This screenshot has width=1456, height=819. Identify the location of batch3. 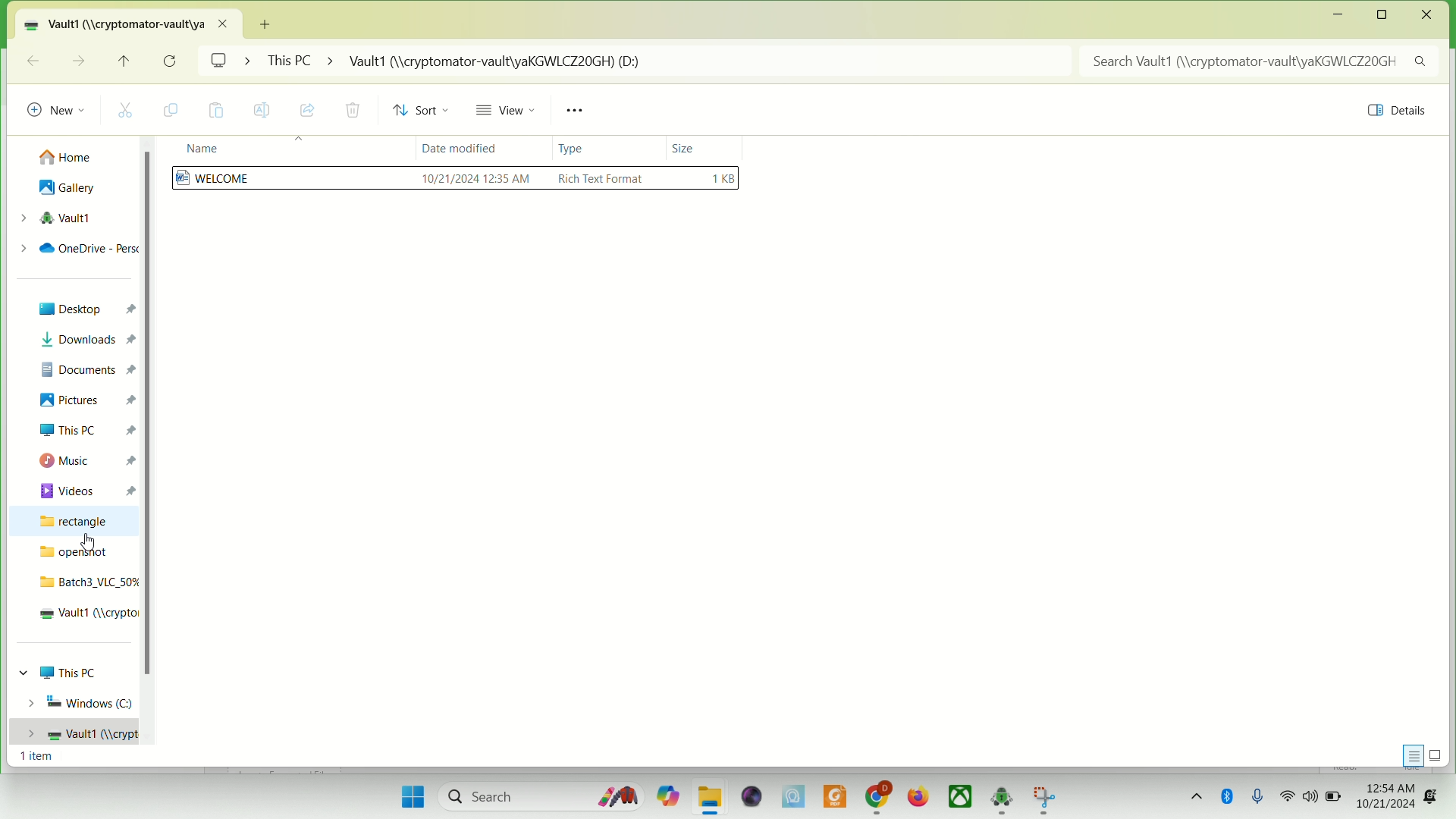
(86, 582).